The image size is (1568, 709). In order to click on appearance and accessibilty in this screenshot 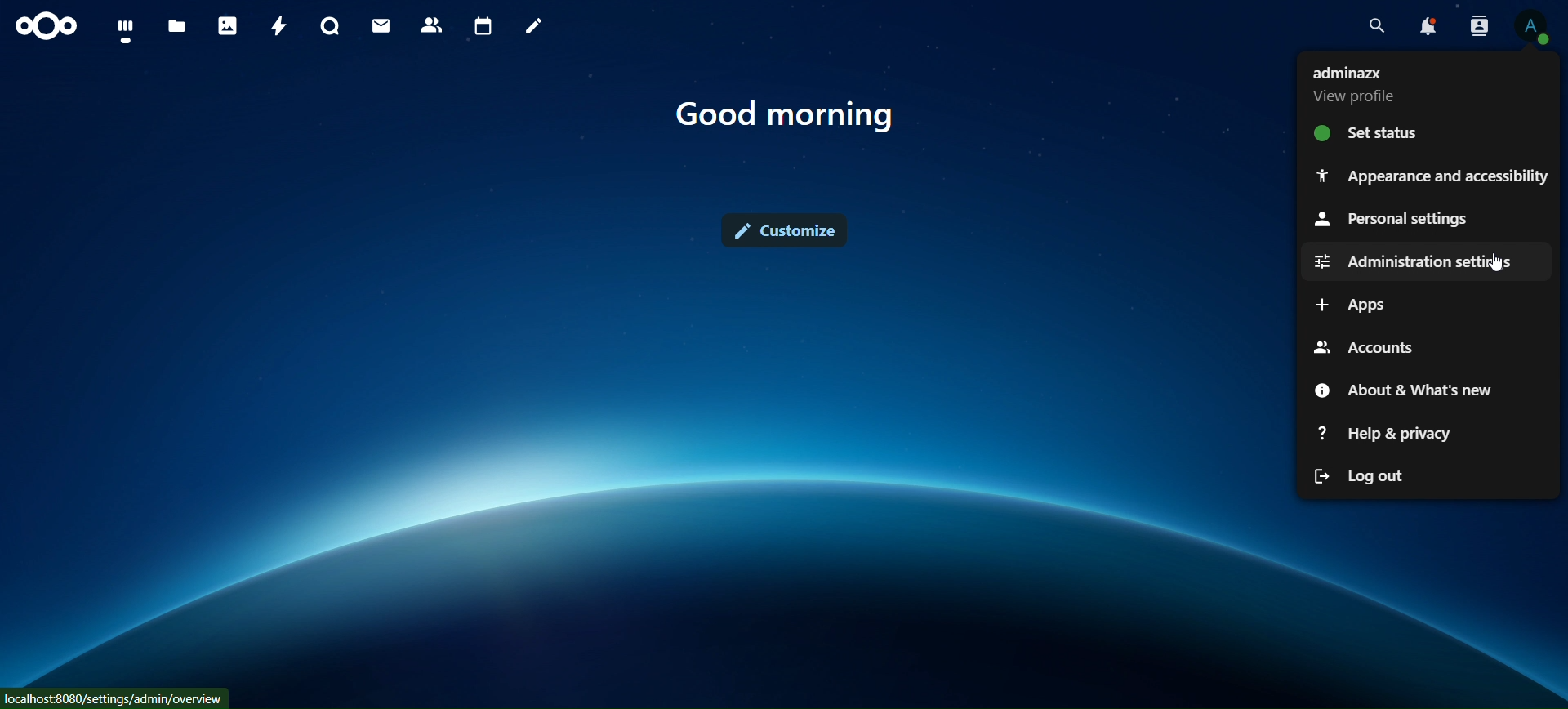, I will do `click(1423, 176)`.